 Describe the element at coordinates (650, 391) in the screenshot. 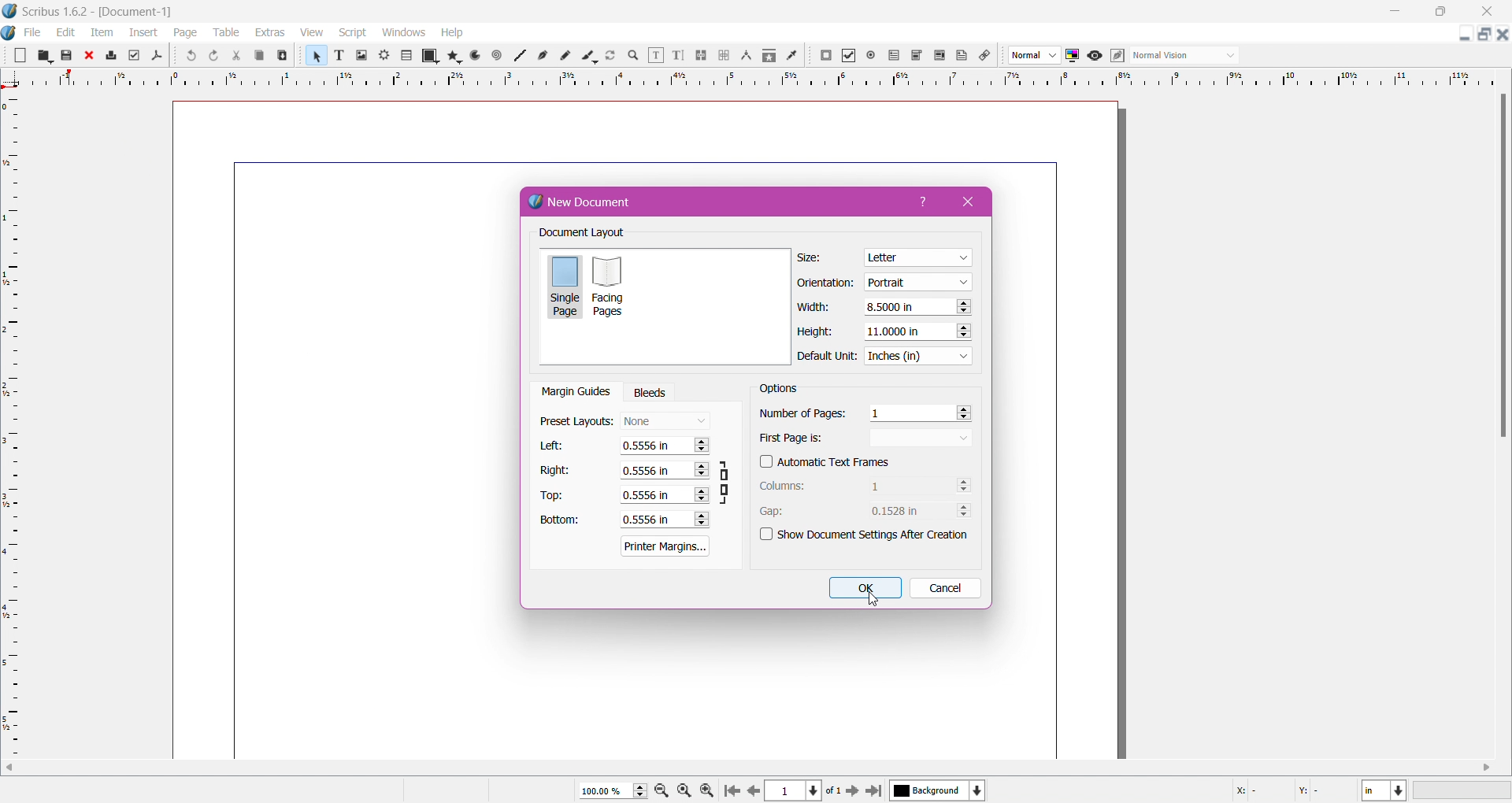

I see `bleeds` at that location.